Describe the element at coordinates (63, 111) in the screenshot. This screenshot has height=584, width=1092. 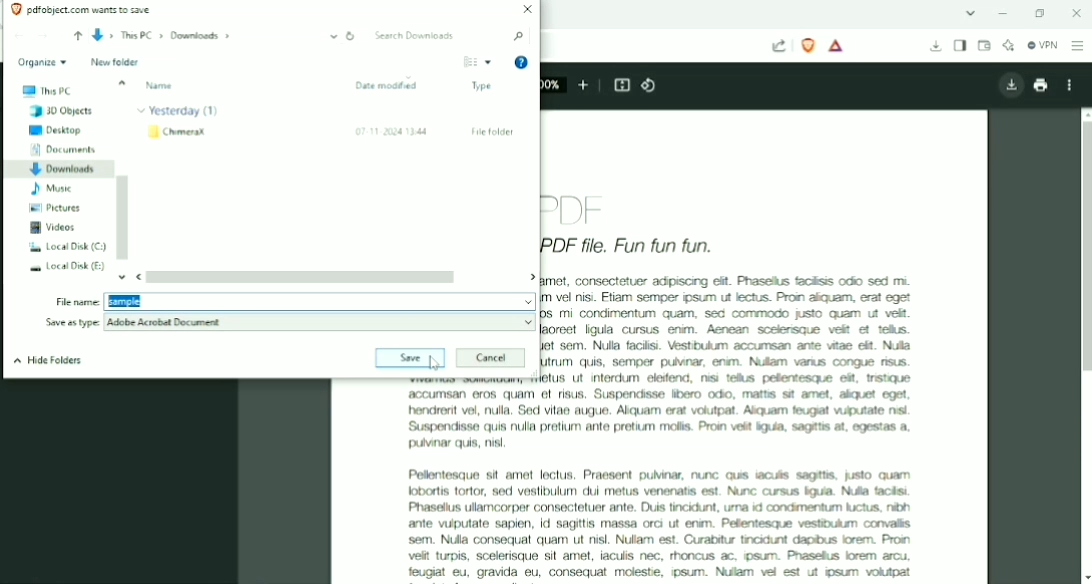
I see `3D Objects` at that location.